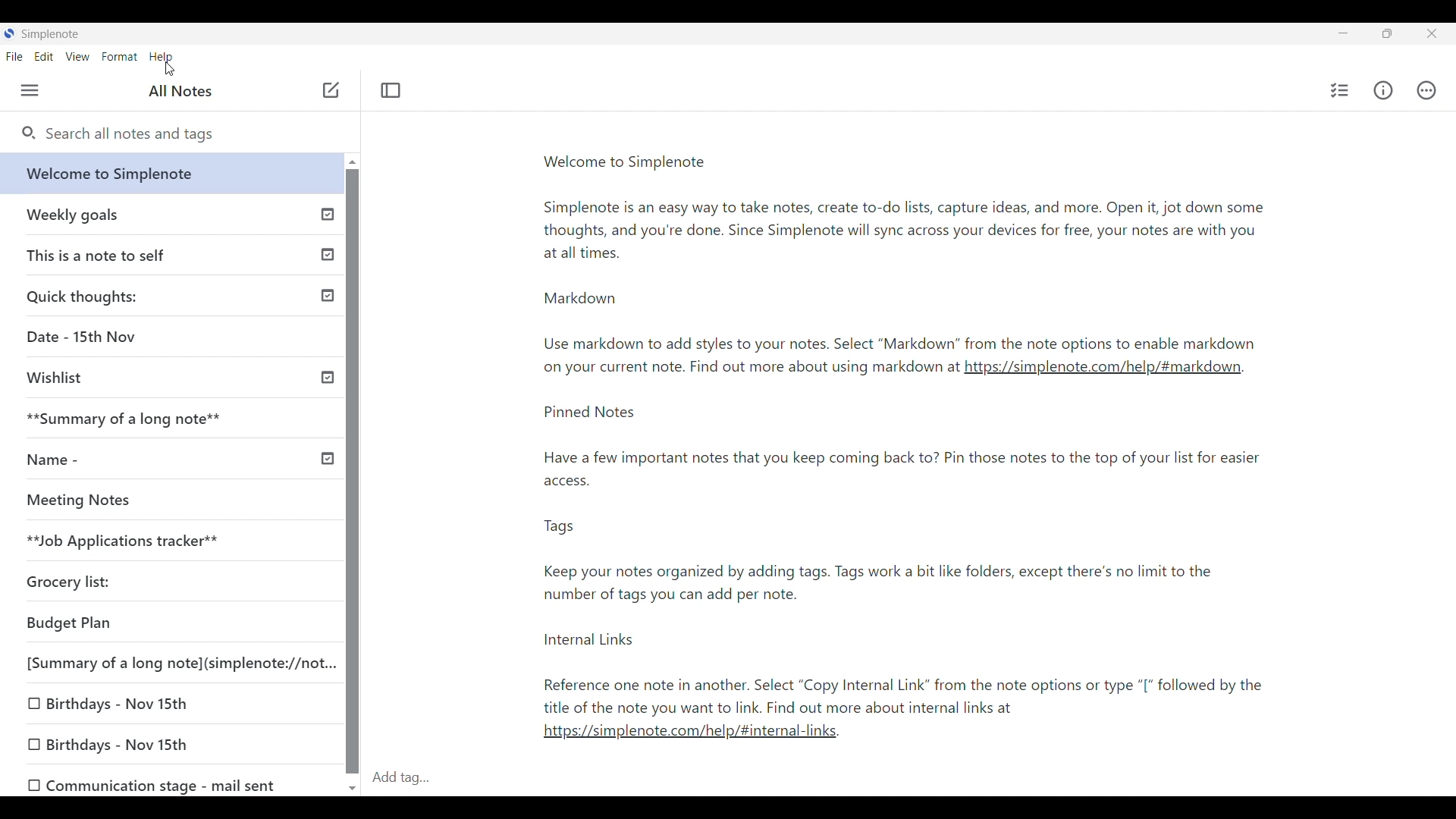  What do you see at coordinates (149, 458) in the screenshot?
I see `Name -` at bounding box center [149, 458].